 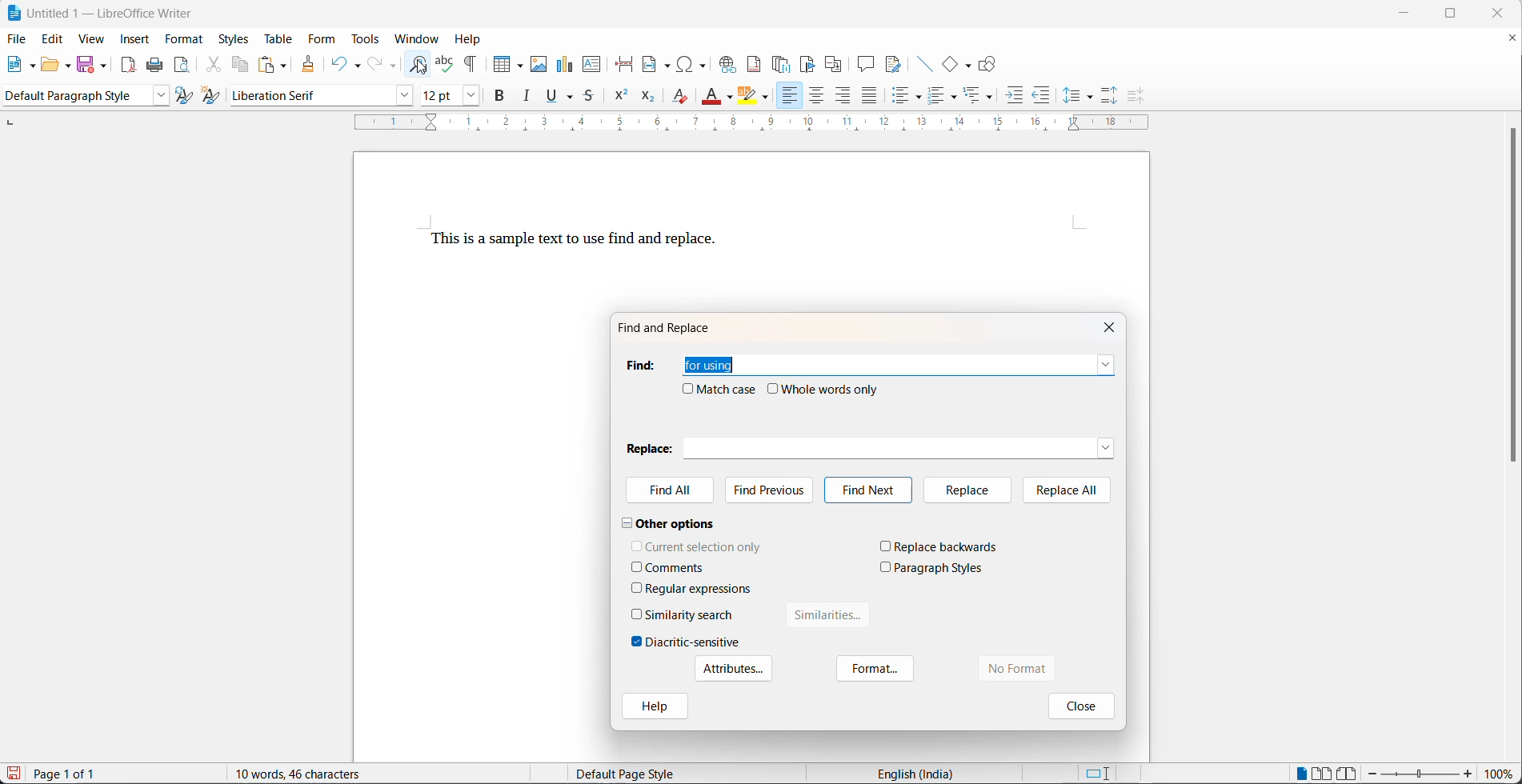 I want to click on redo, so click(x=376, y=64).